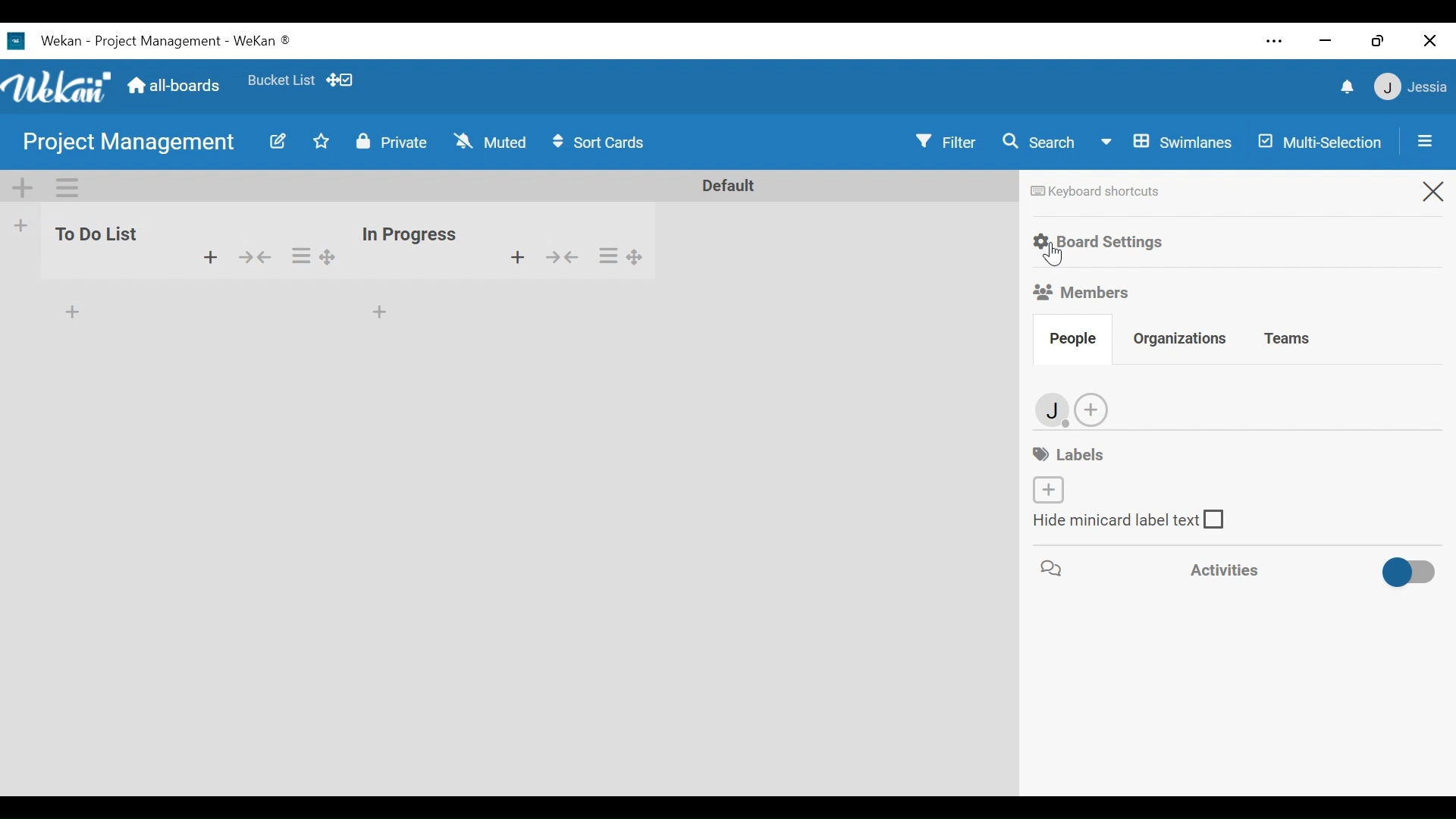 The width and height of the screenshot is (1456, 819). Describe the element at coordinates (1053, 410) in the screenshot. I see `Member` at that location.